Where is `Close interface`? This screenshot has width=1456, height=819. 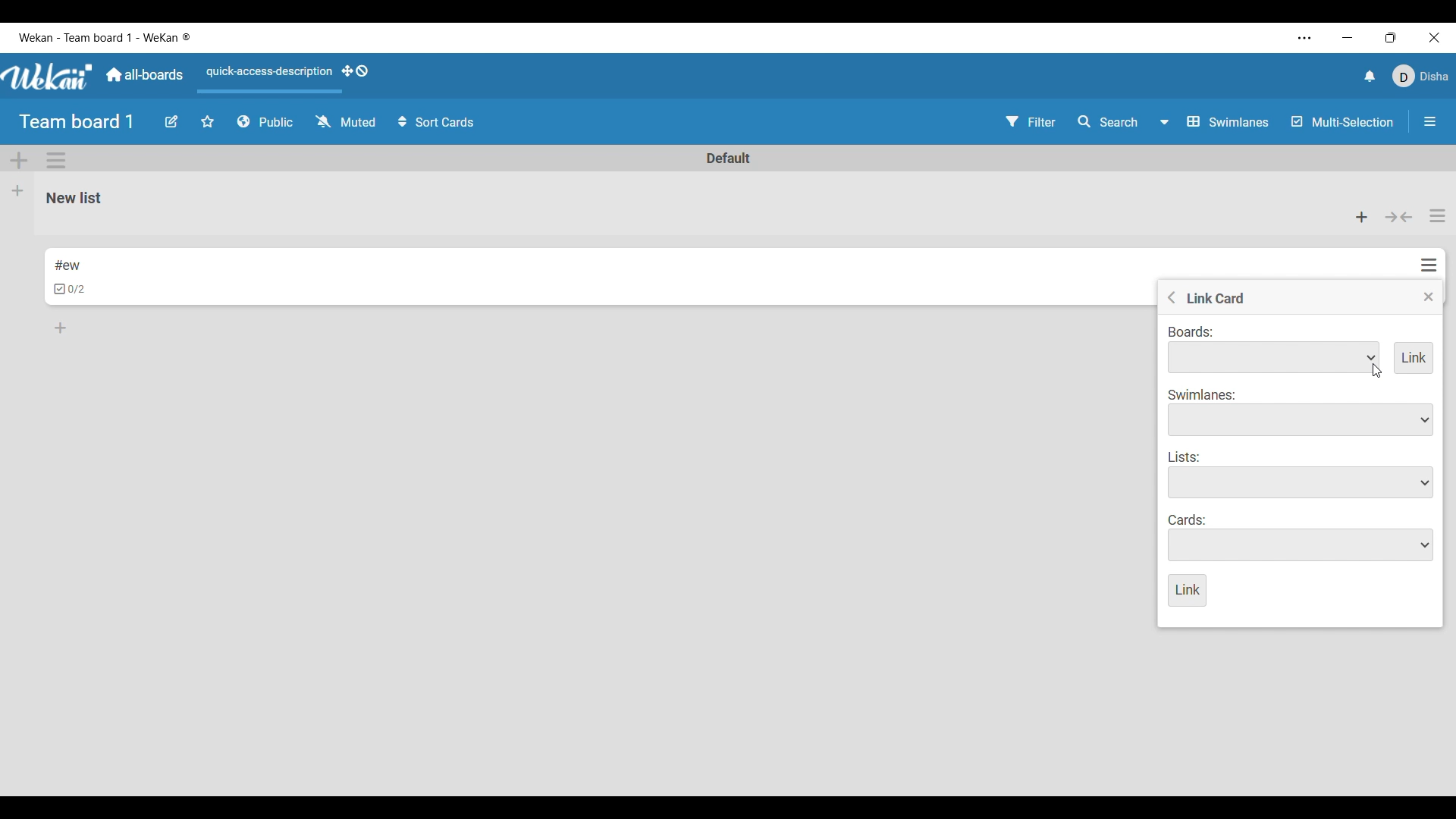
Close interface is located at coordinates (1434, 37).